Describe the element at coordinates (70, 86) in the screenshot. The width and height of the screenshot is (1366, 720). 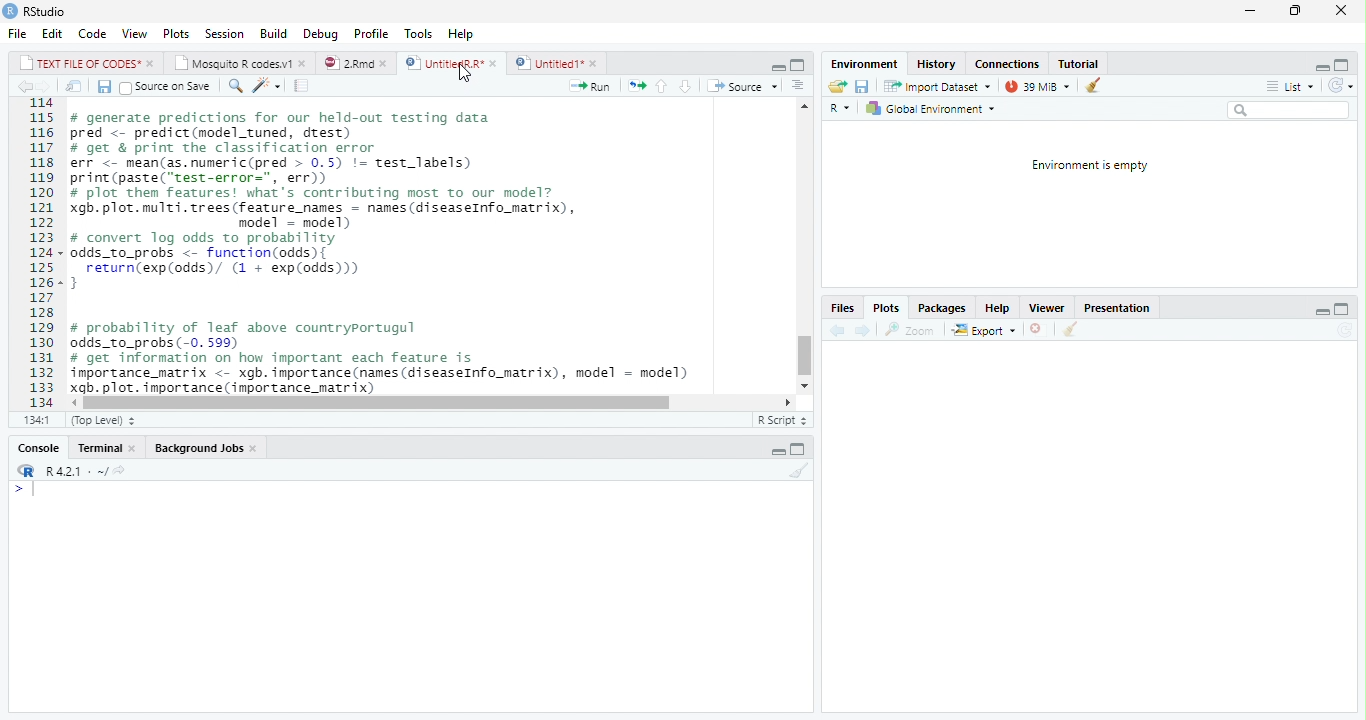
I see `Show in new window` at that location.